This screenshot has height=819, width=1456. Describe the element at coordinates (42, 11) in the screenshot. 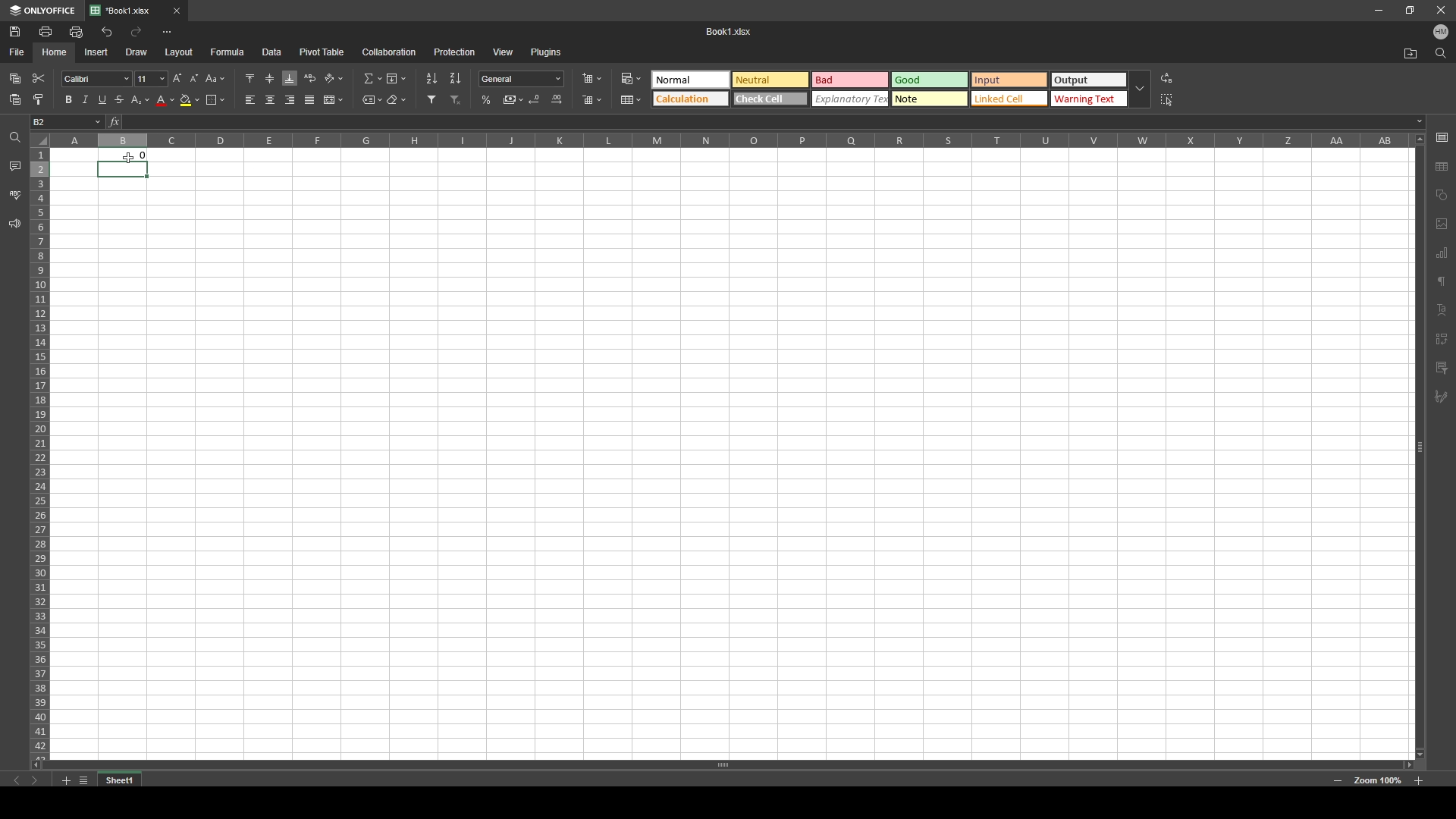

I see `onlyoffice` at that location.